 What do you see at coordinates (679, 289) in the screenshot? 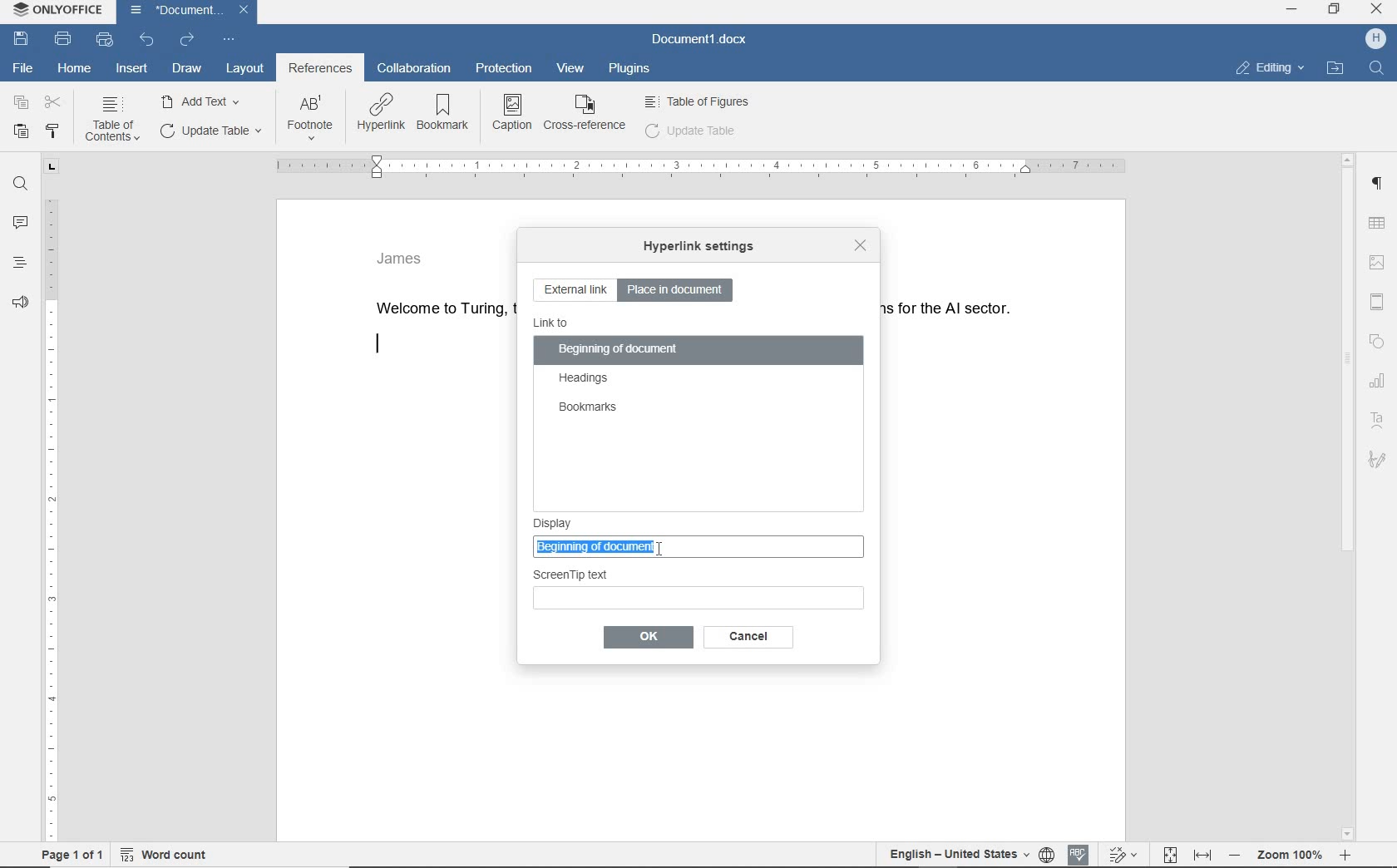
I see `place in document` at bounding box center [679, 289].